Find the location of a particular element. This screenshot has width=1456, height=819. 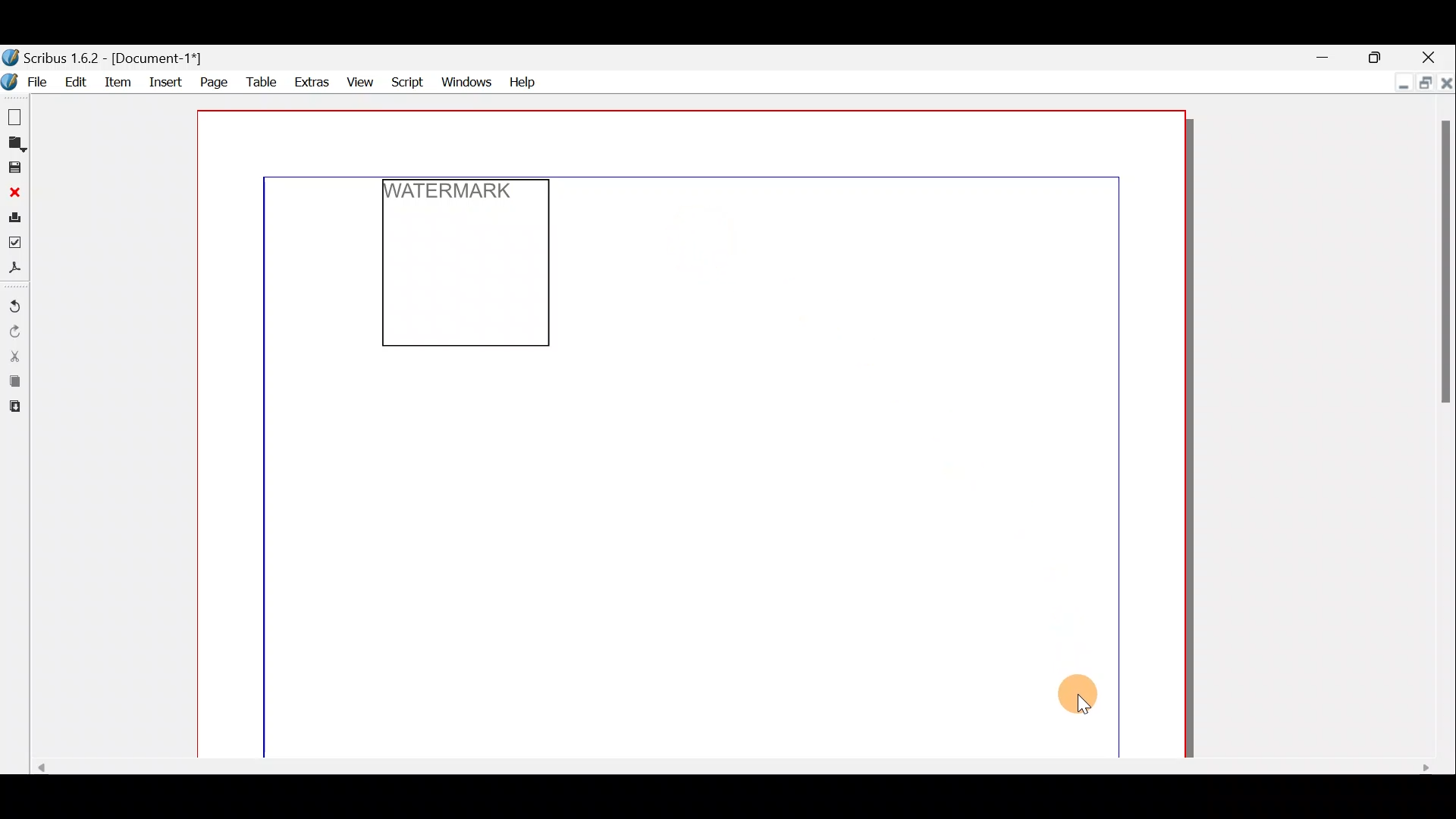

Save is located at coordinates (14, 168).